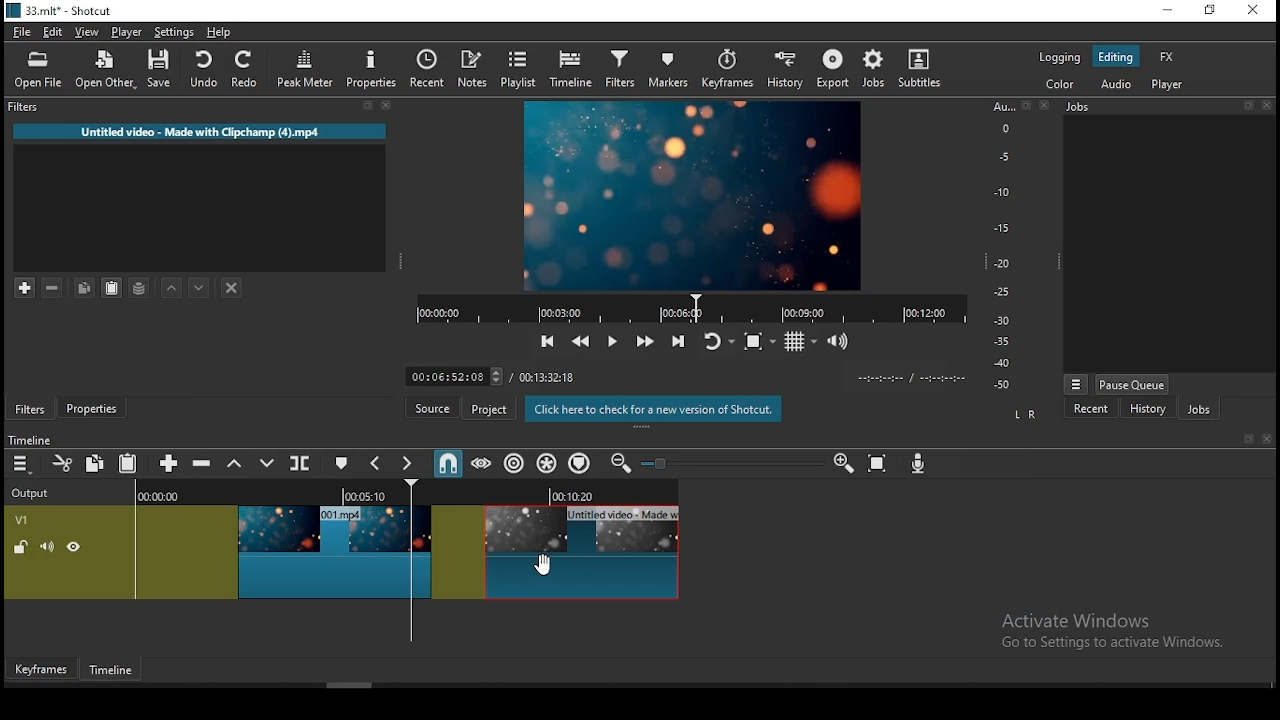  What do you see at coordinates (1257, 11) in the screenshot?
I see `close` at bounding box center [1257, 11].